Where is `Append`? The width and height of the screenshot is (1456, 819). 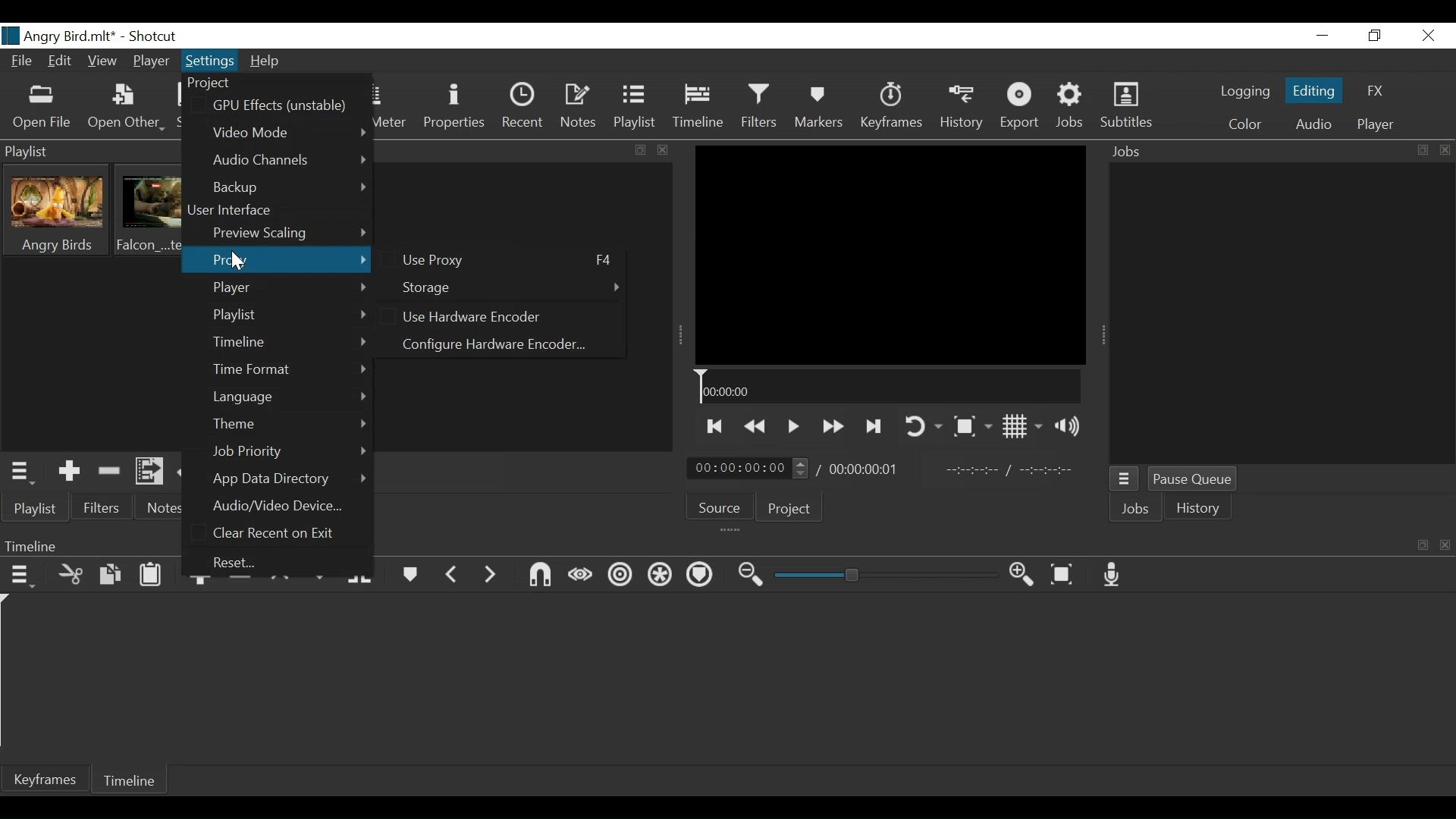
Append is located at coordinates (199, 585).